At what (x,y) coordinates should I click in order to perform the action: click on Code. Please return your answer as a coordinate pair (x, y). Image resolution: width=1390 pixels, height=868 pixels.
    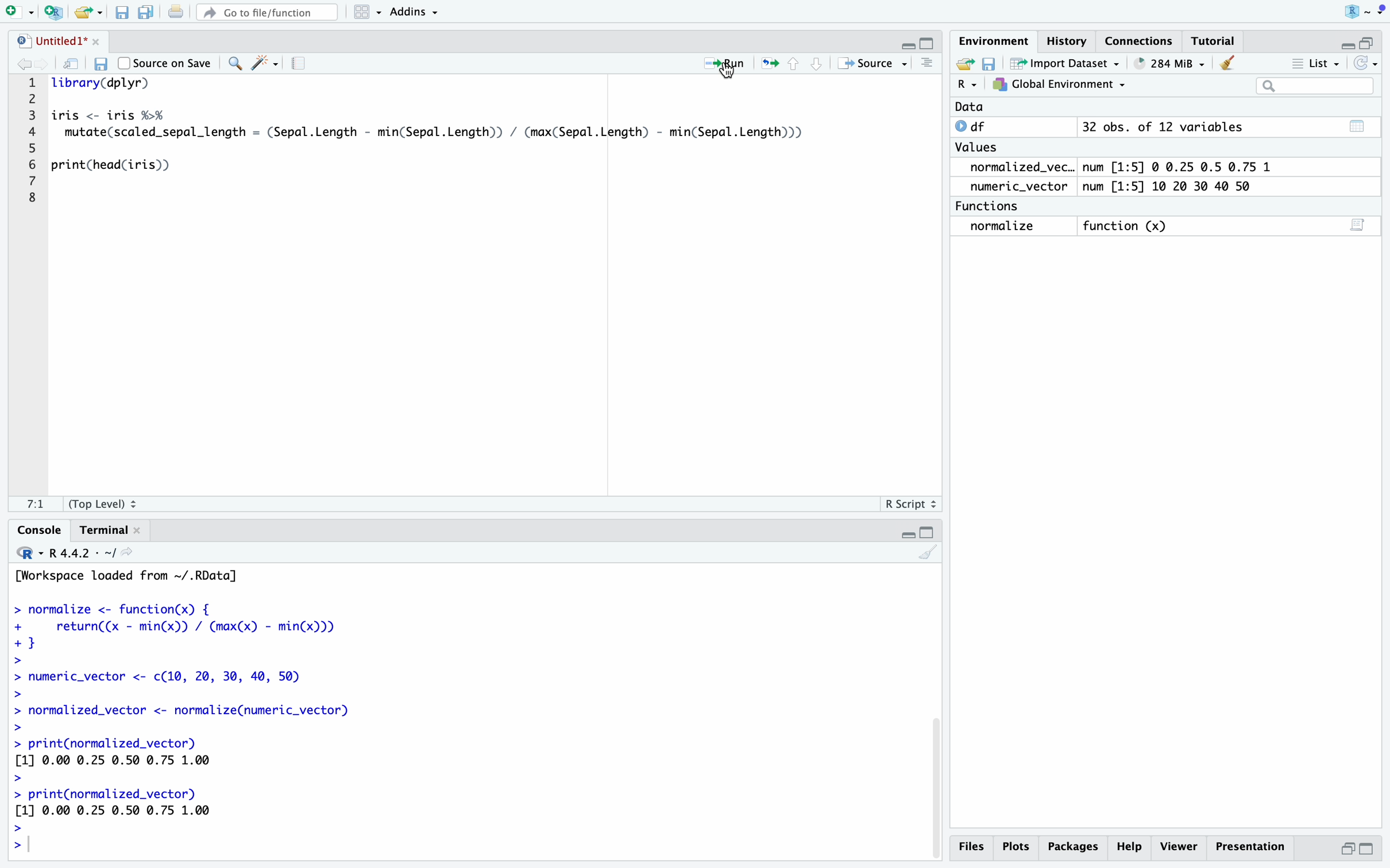
    Looking at the image, I should click on (448, 133).